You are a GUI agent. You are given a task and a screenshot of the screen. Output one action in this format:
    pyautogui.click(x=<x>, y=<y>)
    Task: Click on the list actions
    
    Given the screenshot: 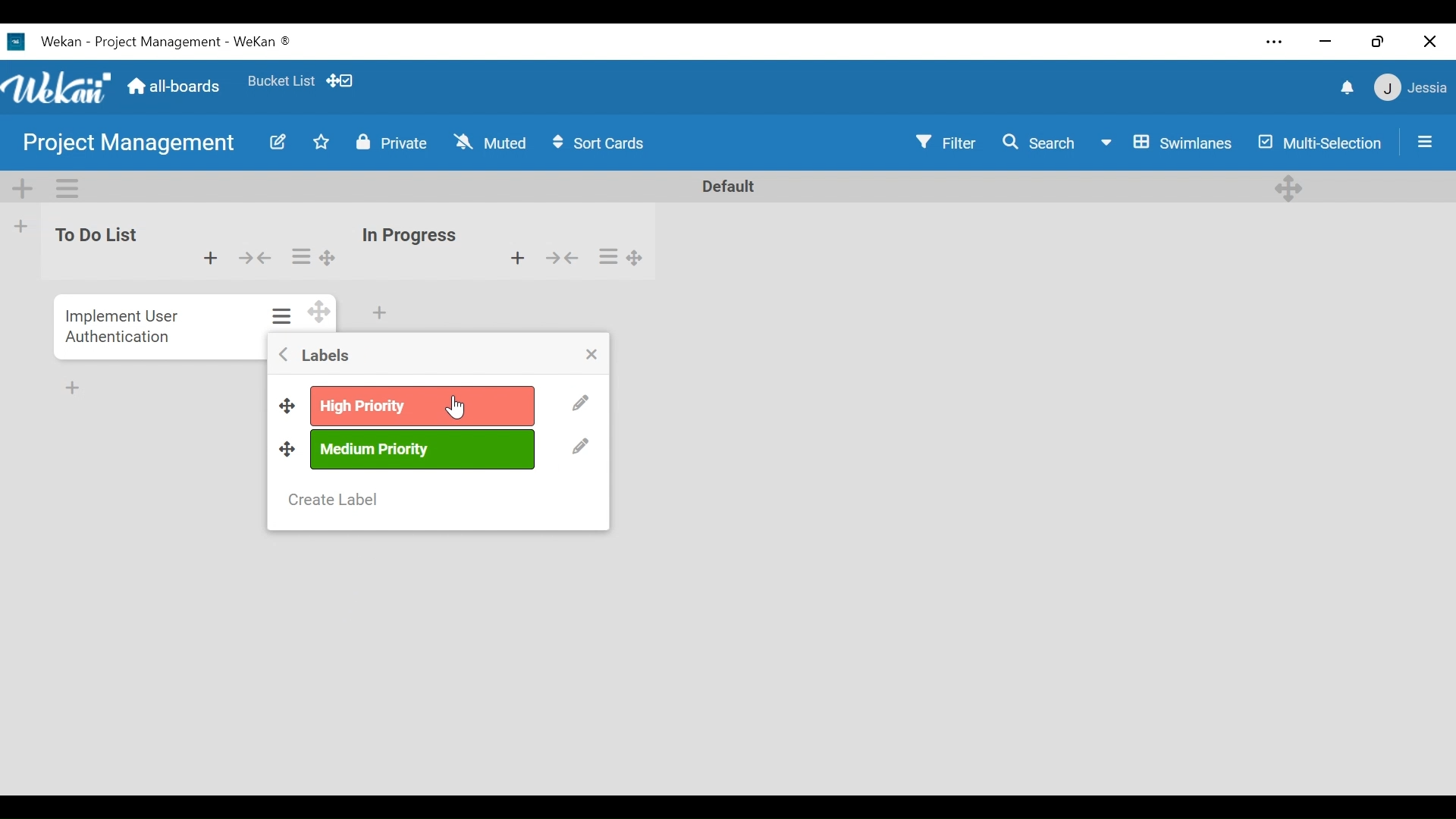 What is the action you would take?
    pyautogui.click(x=300, y=258)
    